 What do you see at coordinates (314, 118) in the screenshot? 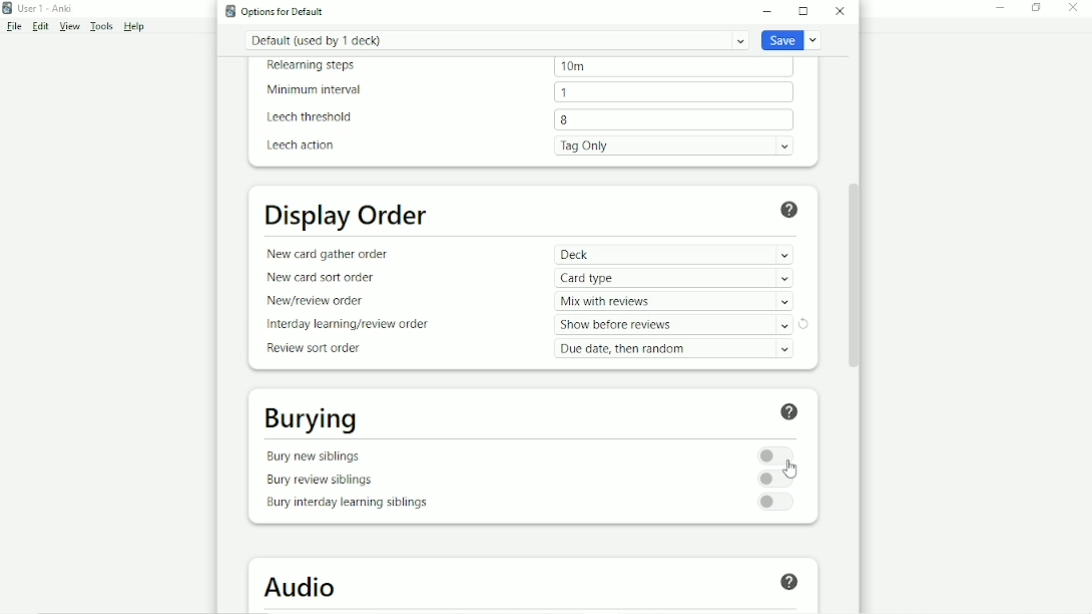
I see `Leech threshold` at bounding box center [314, 118].